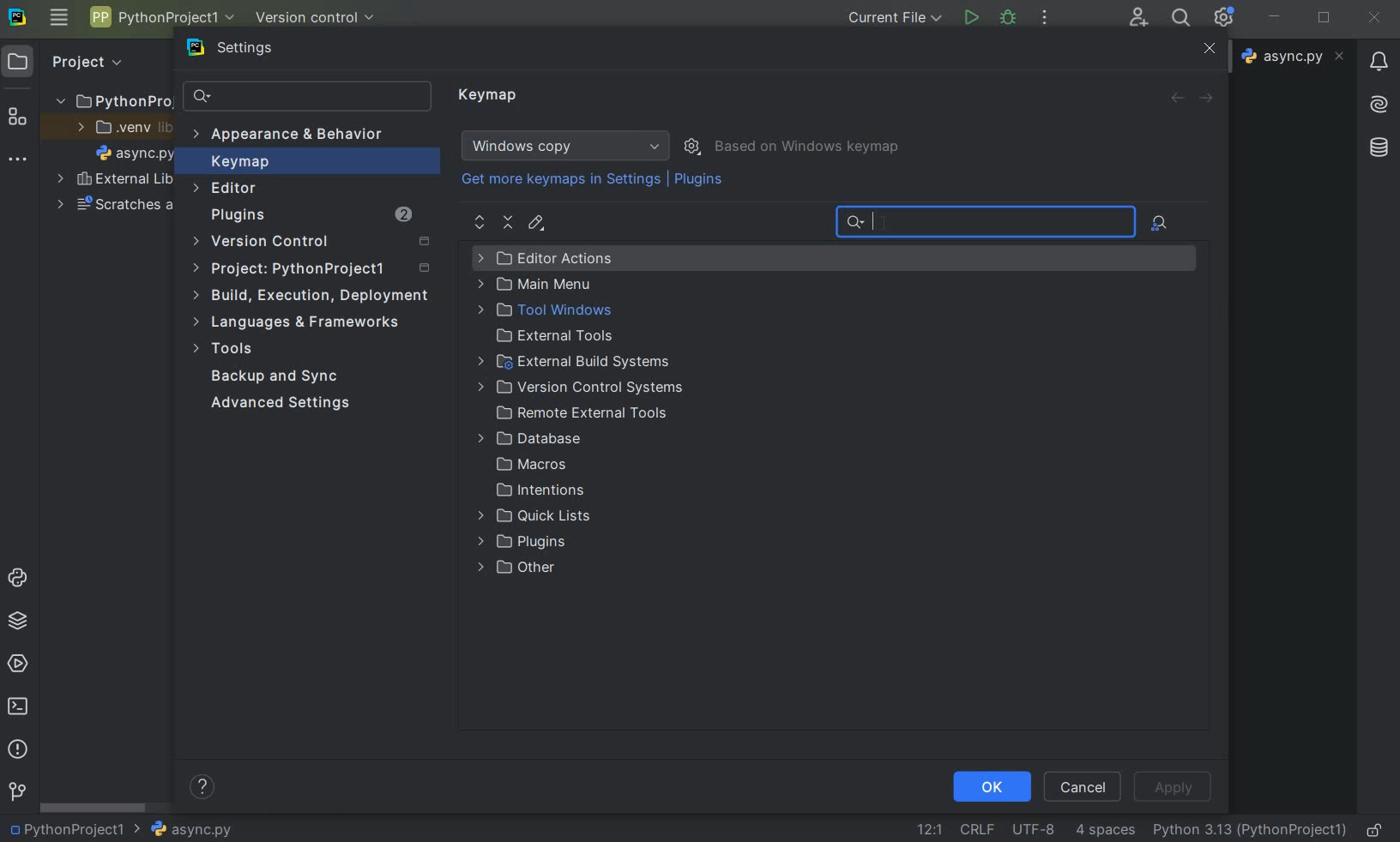 The width and height of the screenshot is (1400, 842). What do you see at coordinates (524, 466) in the screenshot?
I see `macros` at bounding box center [524, 466].